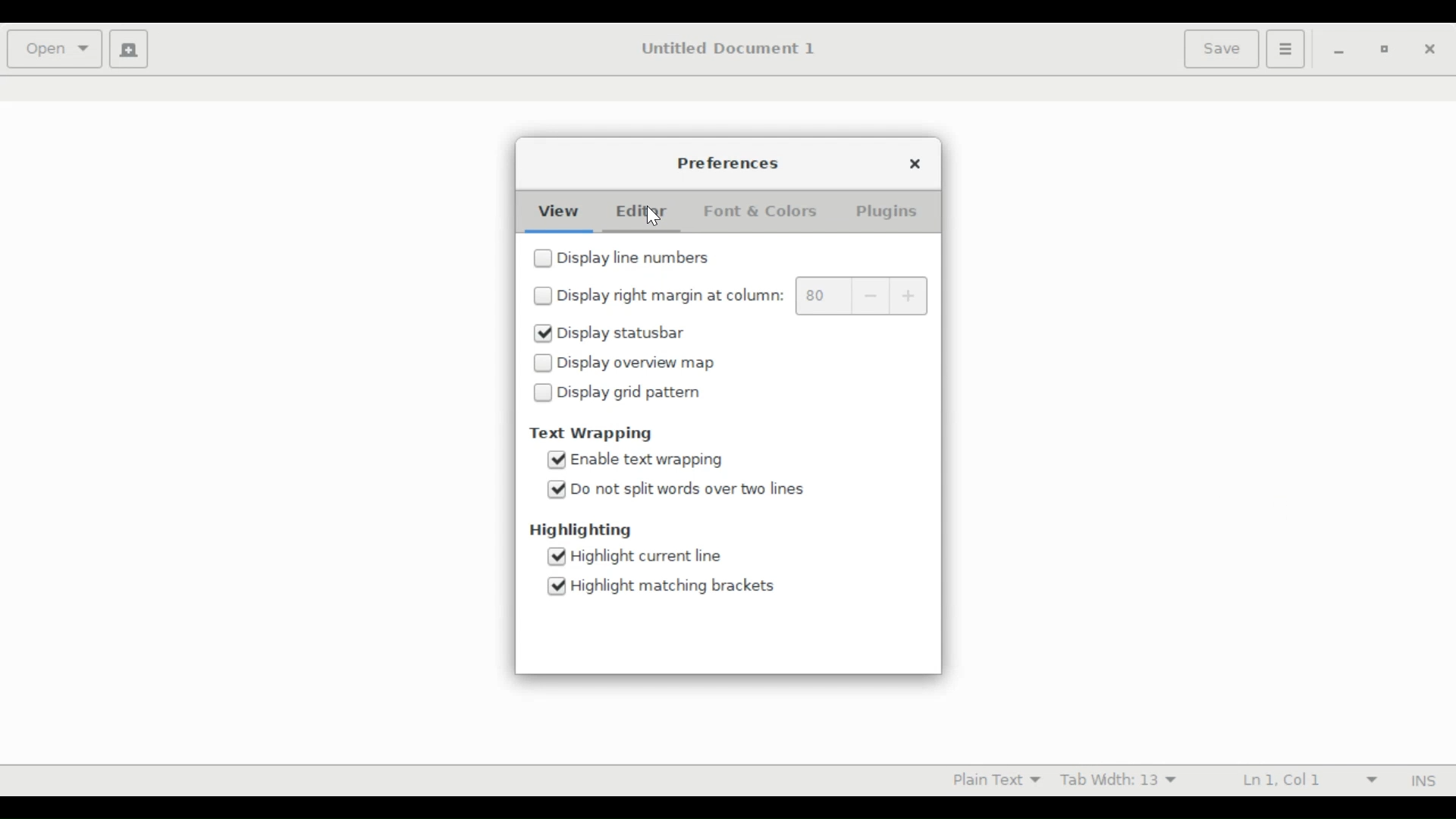 The image size is (1456, 819). What do you see at coordinates (542, 393) in the screenshot?
I see `Unselected` at bounding box center [542, 393].